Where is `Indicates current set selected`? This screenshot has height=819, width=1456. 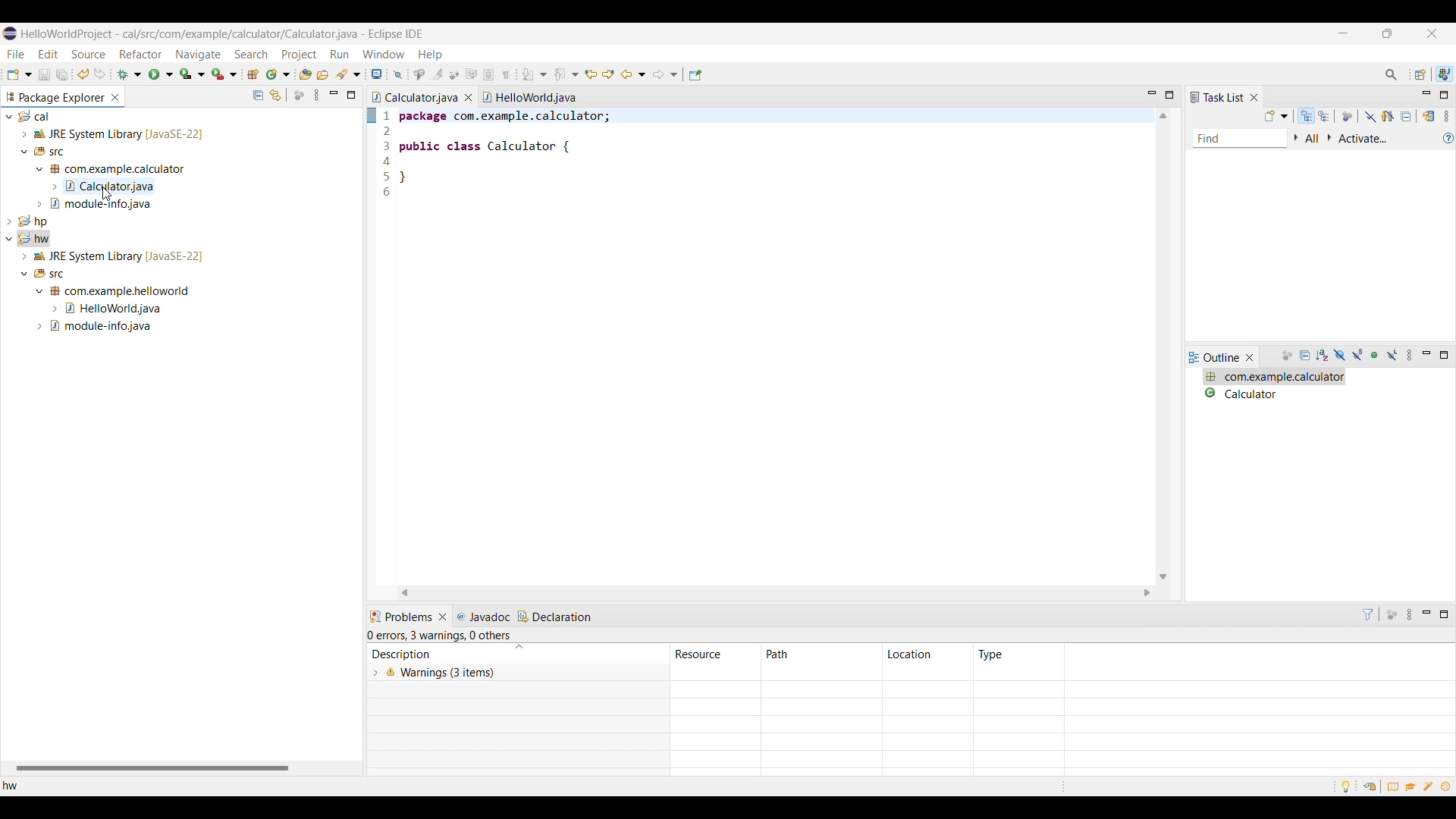
Indicates current set selected is located at coordinates (371, 115).